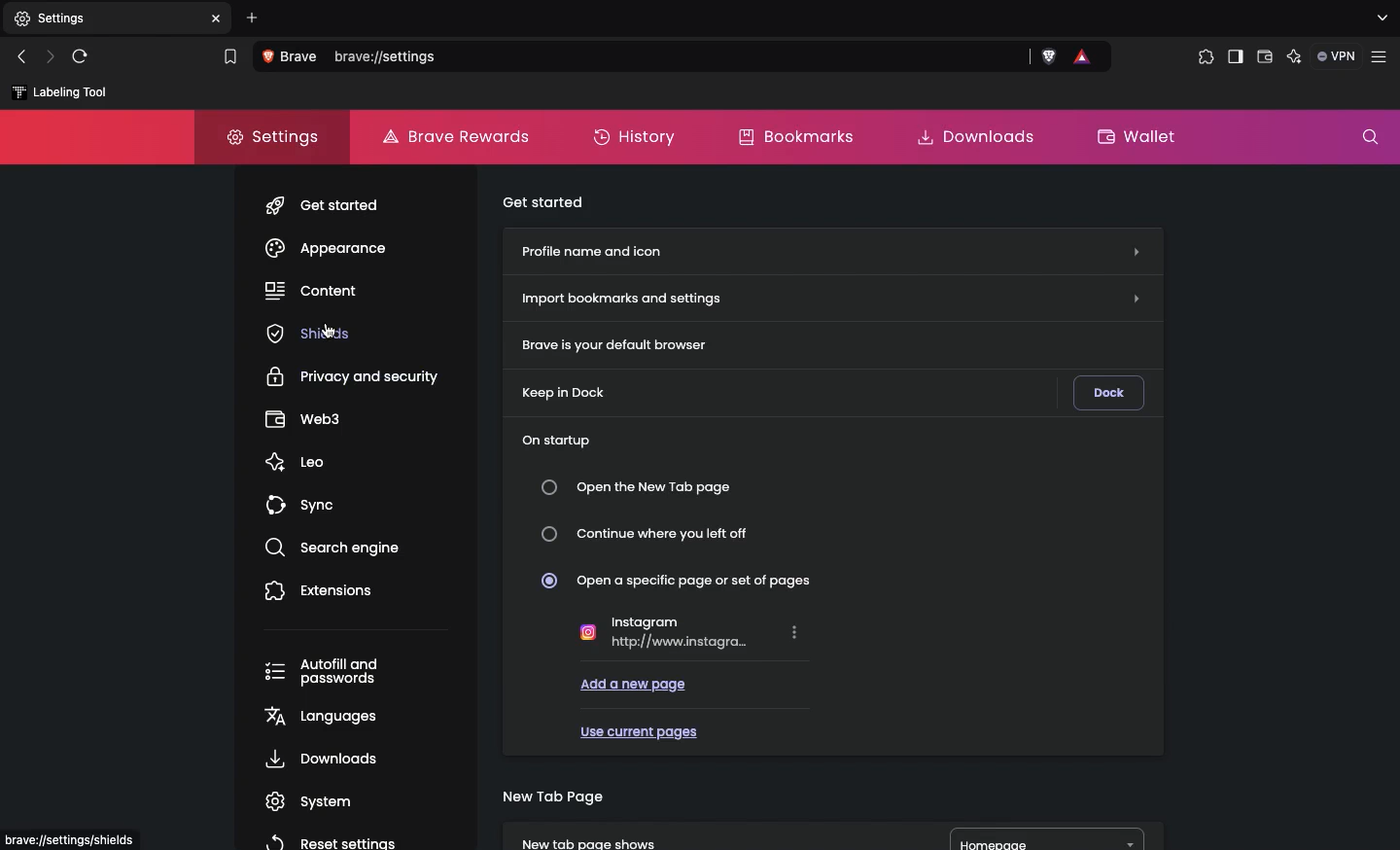  Describe the element at coordinates (1379, 19) in the screenshot. I see `search tabs` at that location.